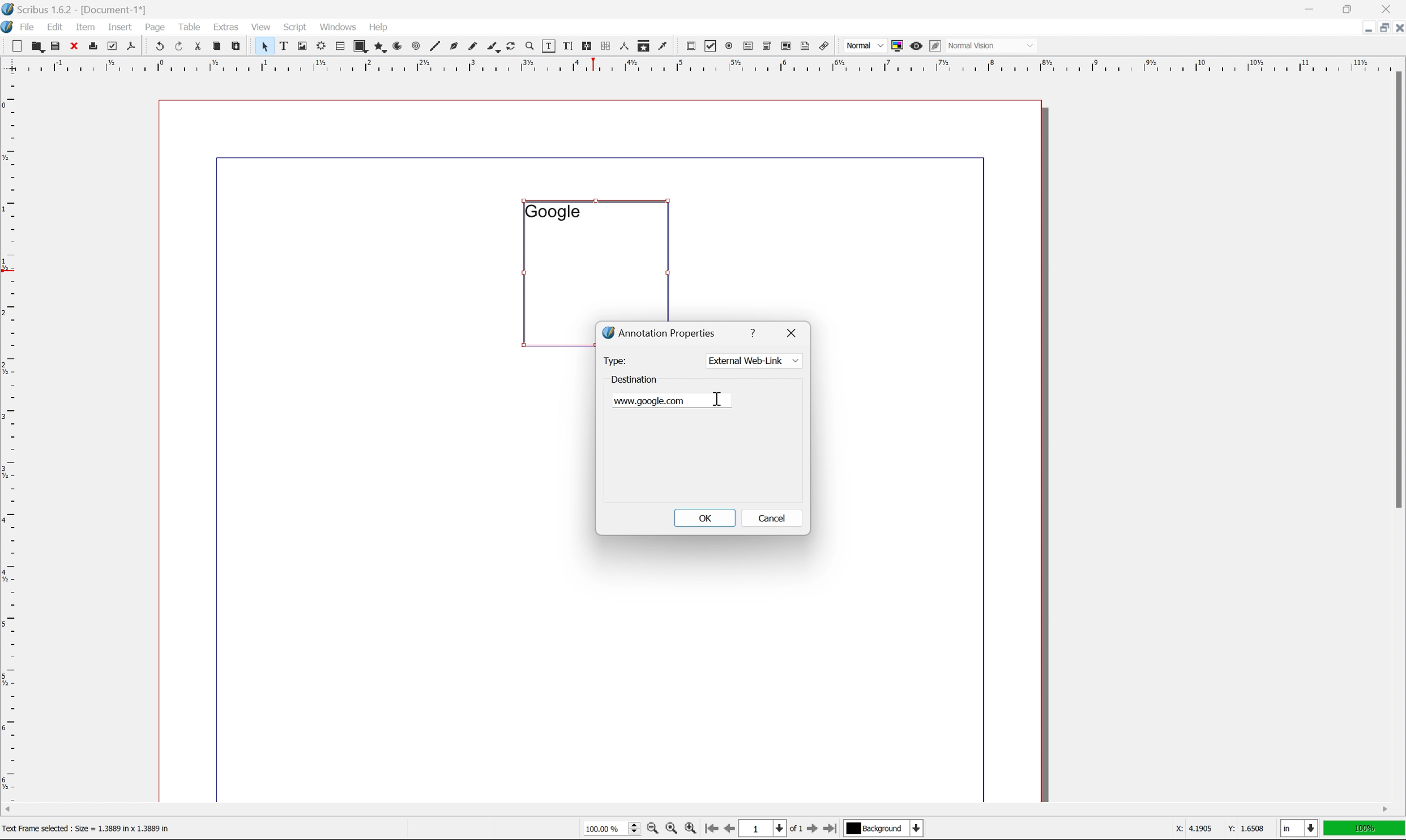 This screenshot has width=1406, height=840. Describe the element at coordinates (755, 331) in the screenshot. I see `help` at that location.